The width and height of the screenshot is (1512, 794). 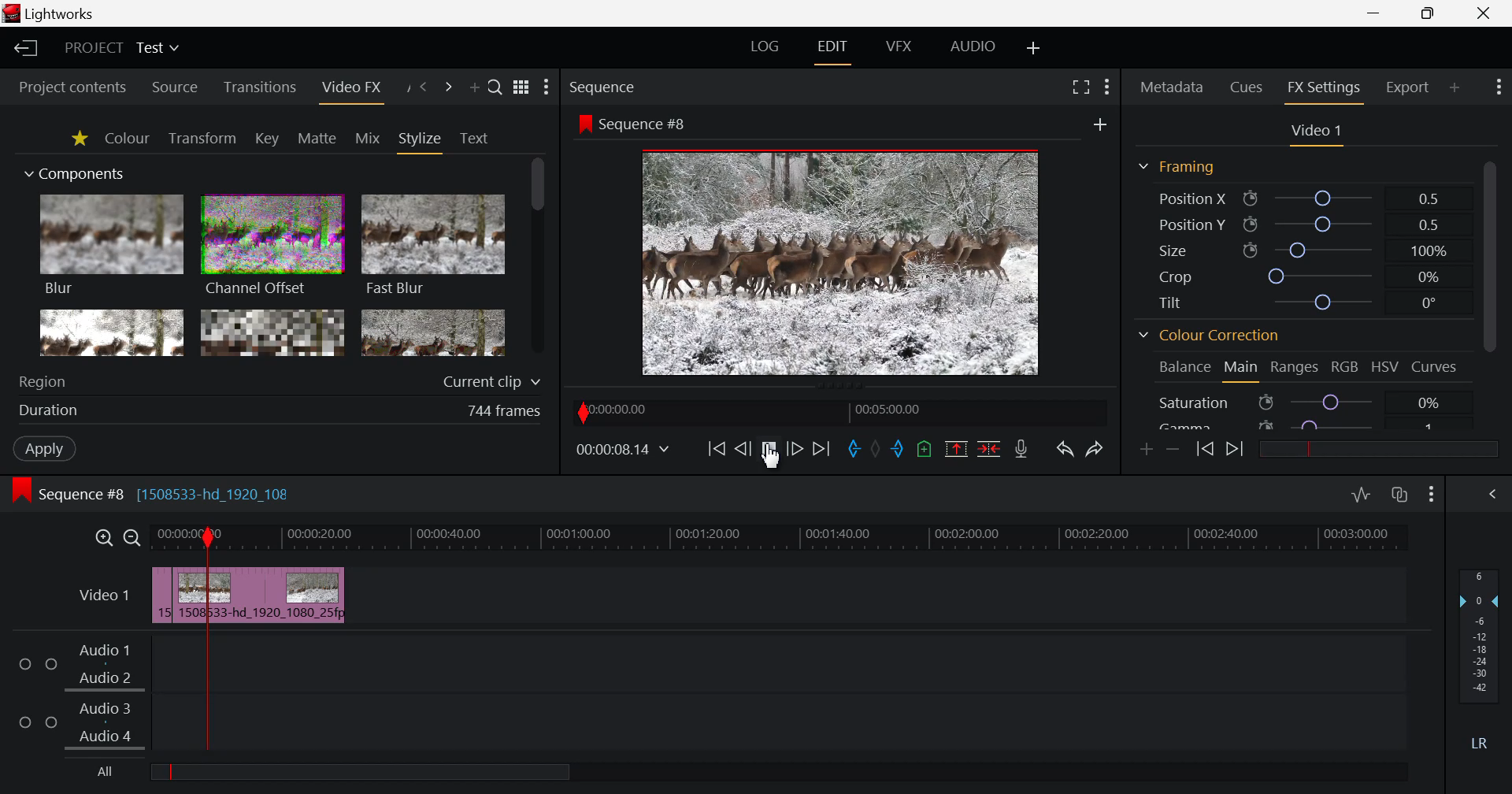 What do you see at coordinates (1409, 87) in the screenshot?
I see `Export` at bounding box center [1409, 87].